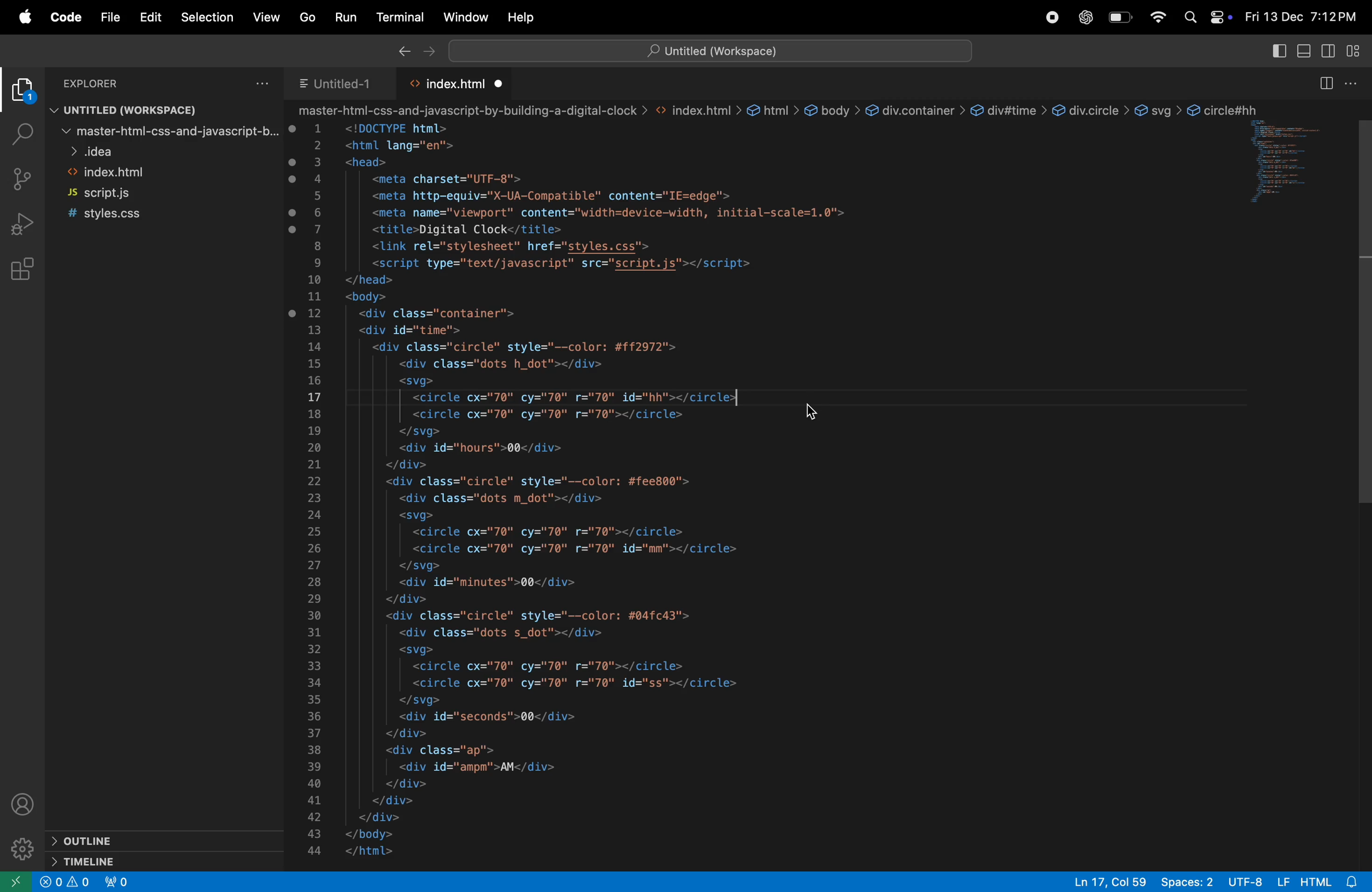 The height and width of the screenshot is (892, 1372). Describe the element at coordinates (119, 839) in the screenshot. I see `outline` at that location.